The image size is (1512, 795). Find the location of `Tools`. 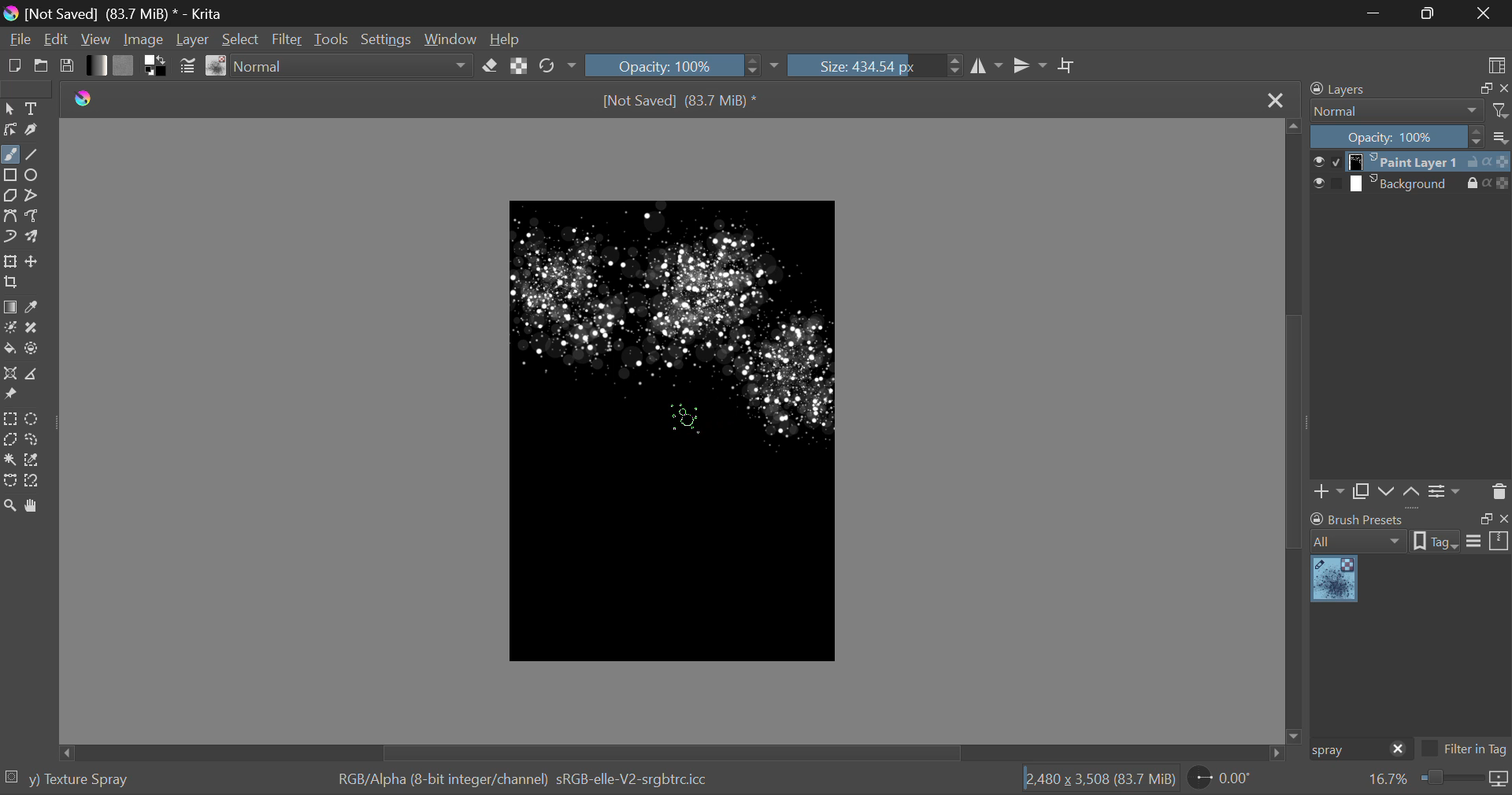

Tools is located at coordinates (334, 39).